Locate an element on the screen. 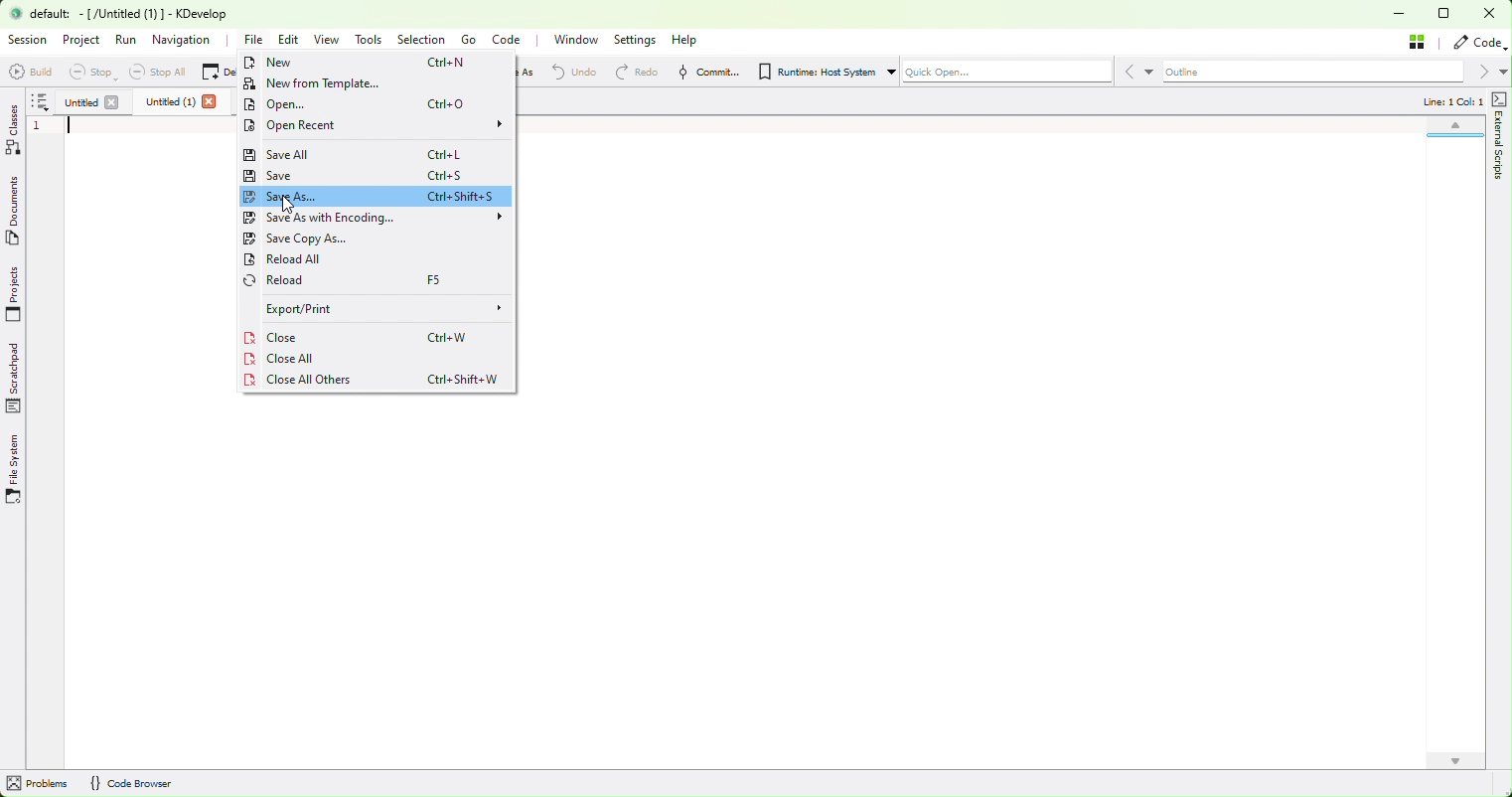 Image resolution: width=1512 pixels, height=797 pixels. Runtime is located at coordinates (821, 73).